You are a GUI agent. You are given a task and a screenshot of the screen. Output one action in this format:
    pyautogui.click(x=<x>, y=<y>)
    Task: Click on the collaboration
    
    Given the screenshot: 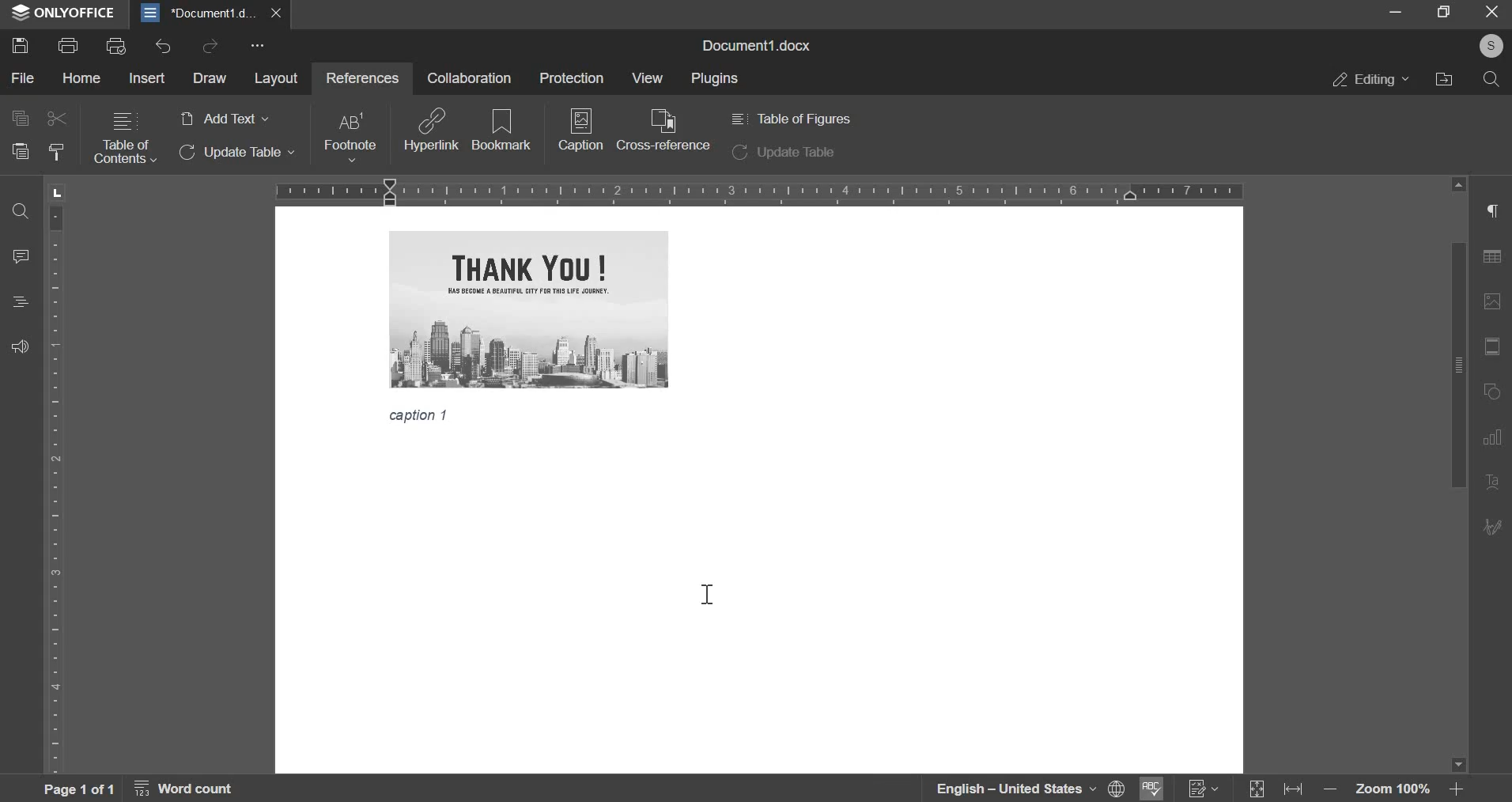 What is the action you would take?
    pyautogui.click(x=469, y=78)
    